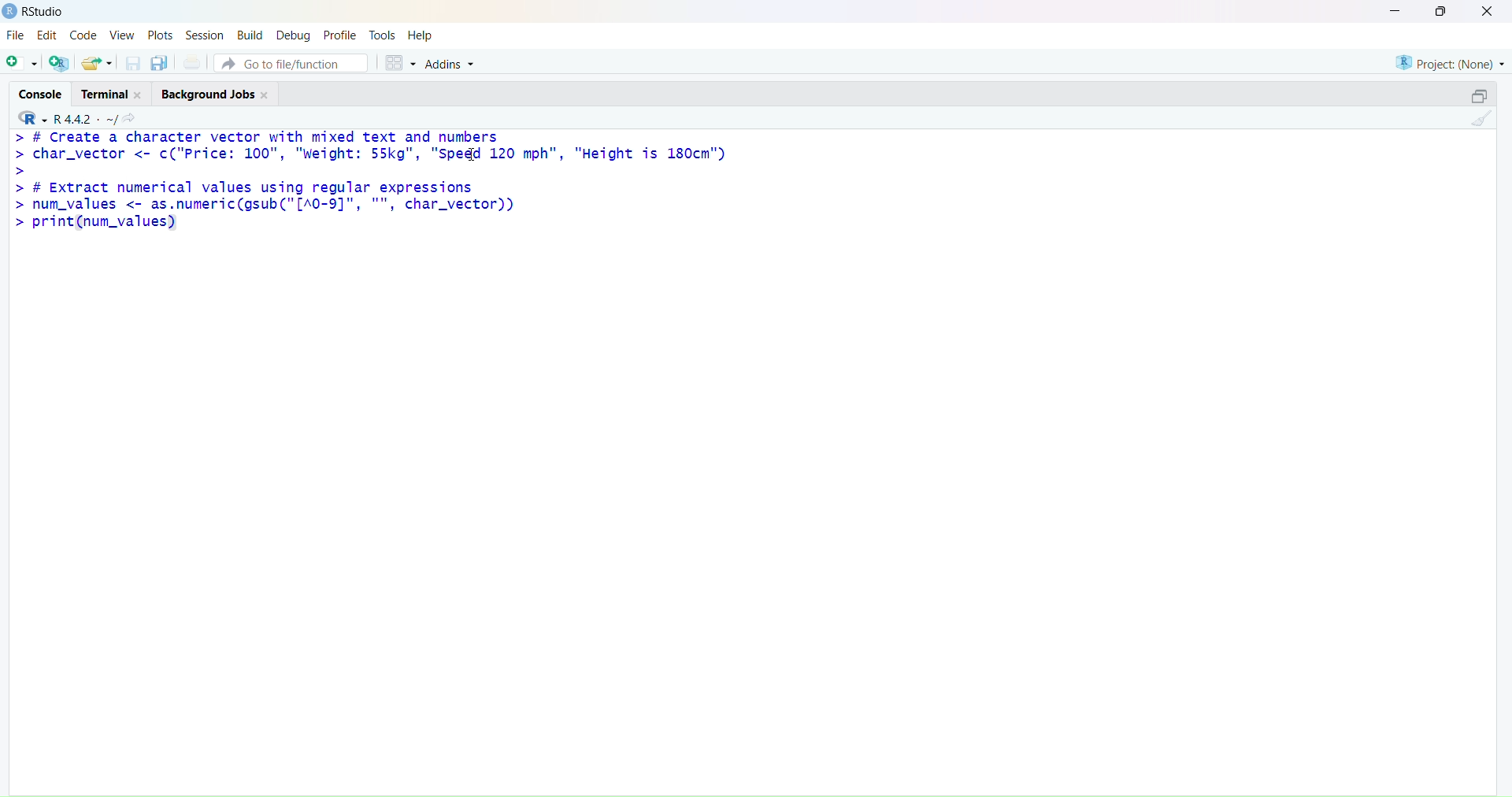 This screenshot has height=797, width=1512. What do you see at coordinates (372, 181) in the screenshot?
I see `> # Create a character vector with mixed text and numberschar_vector <- c("Price: 100", "weight: 55kg", "Speed 120 mph", "Height is 180cm")# Extract numerical values using regular expressionsnum_values <- as.numeric(gsub("[A0-9]", "", char_vector))> print(num_values)` at bounding box center [372, 181].